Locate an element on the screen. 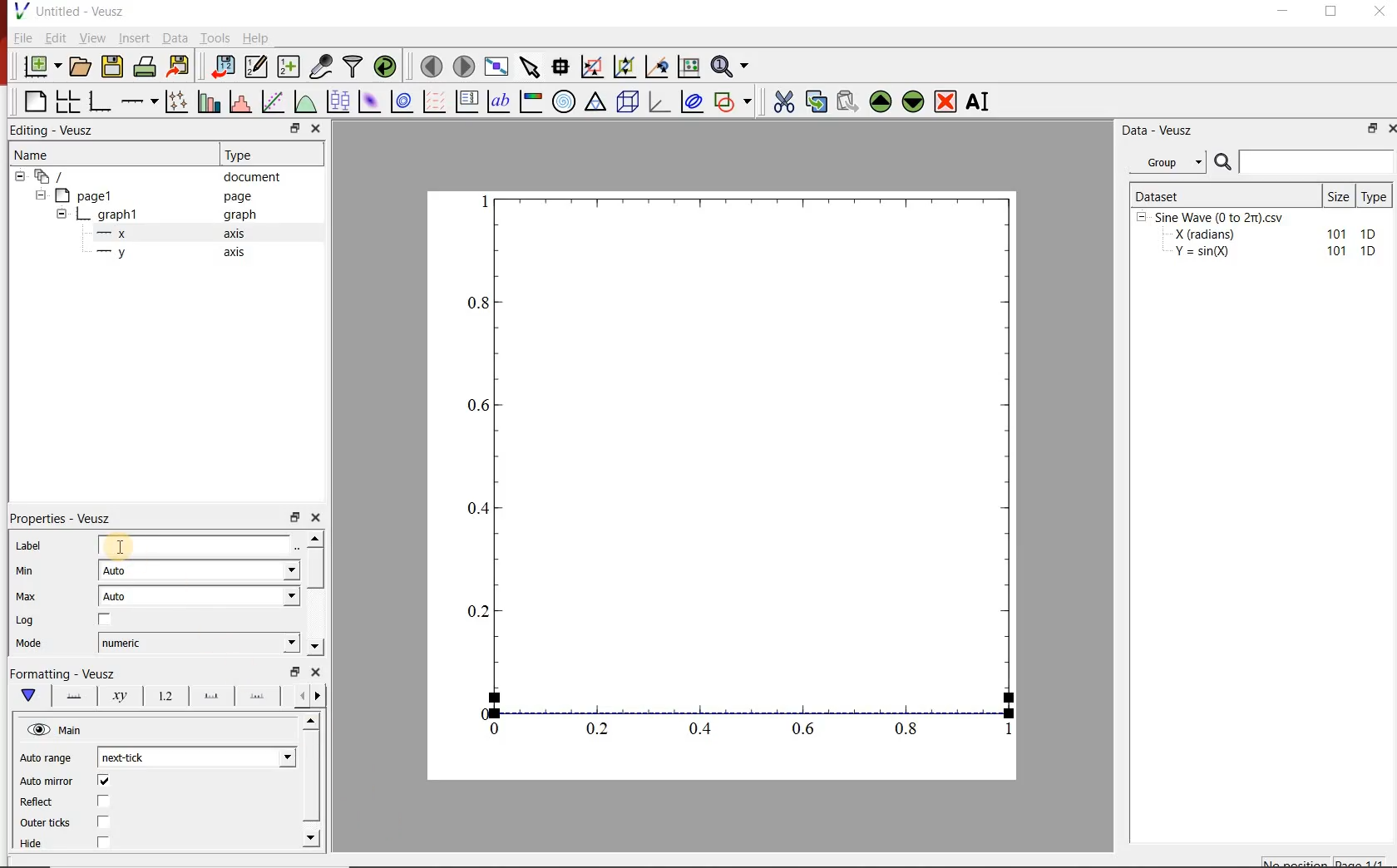 The height and width of the screenshot is (868, 1397). Insert is located at coordinates (135, 37).